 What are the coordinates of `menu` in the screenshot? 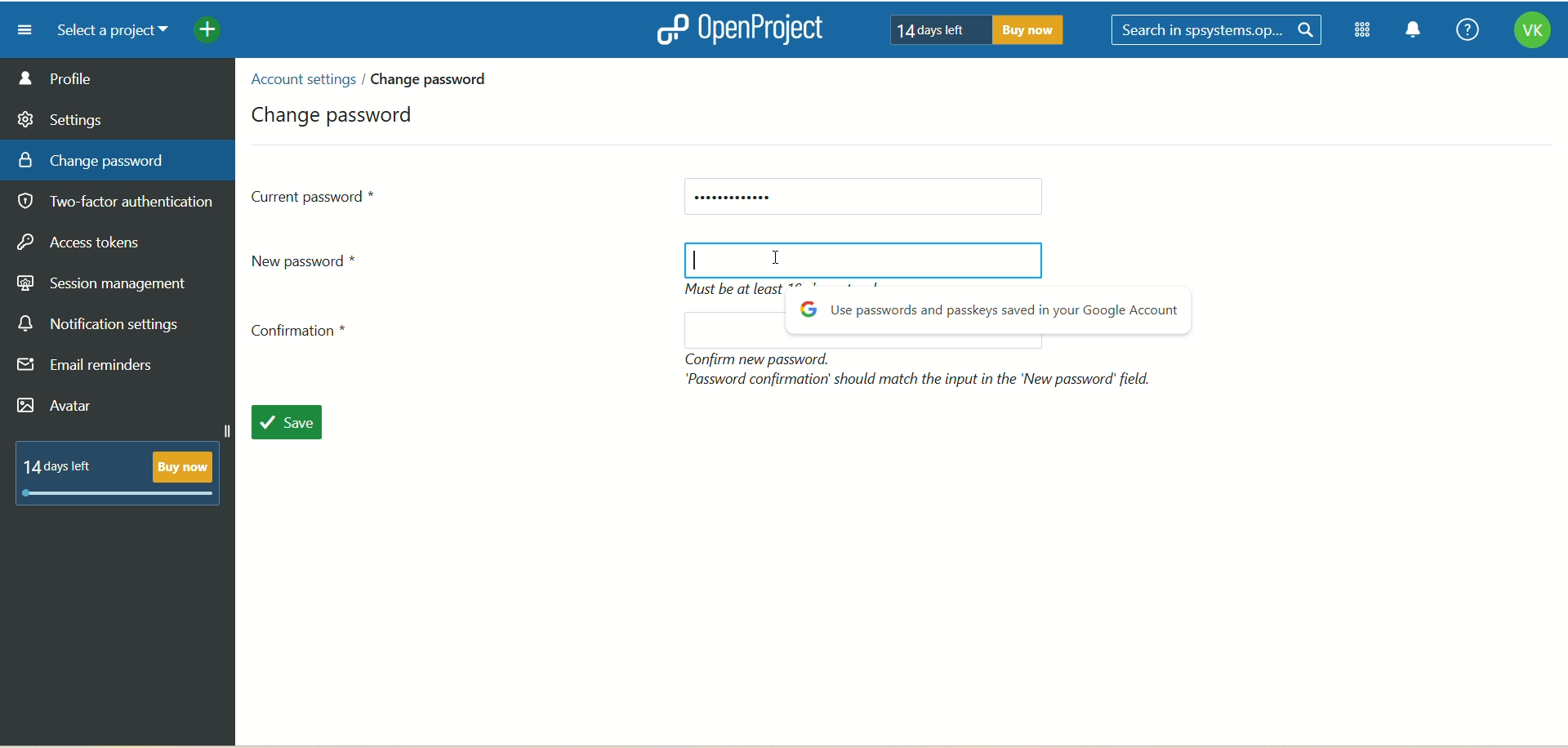 It's located at (19, 29).